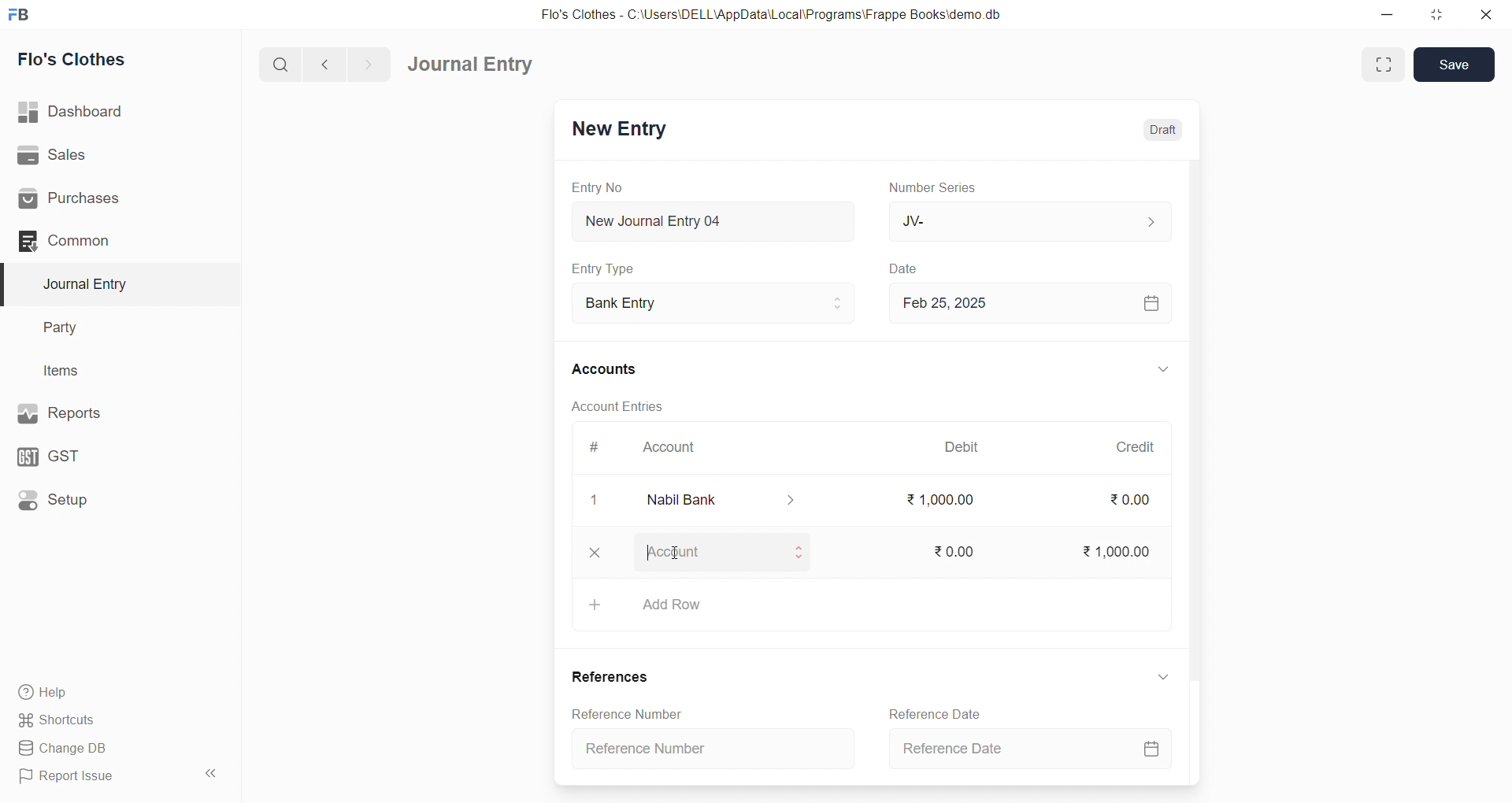 Image resolution: width=1512 pixels, height=803 pixels. What do you see at coordinates (115, 719) in the screenshot?
I see `Shortcuts` at bounding box center [115, 719].